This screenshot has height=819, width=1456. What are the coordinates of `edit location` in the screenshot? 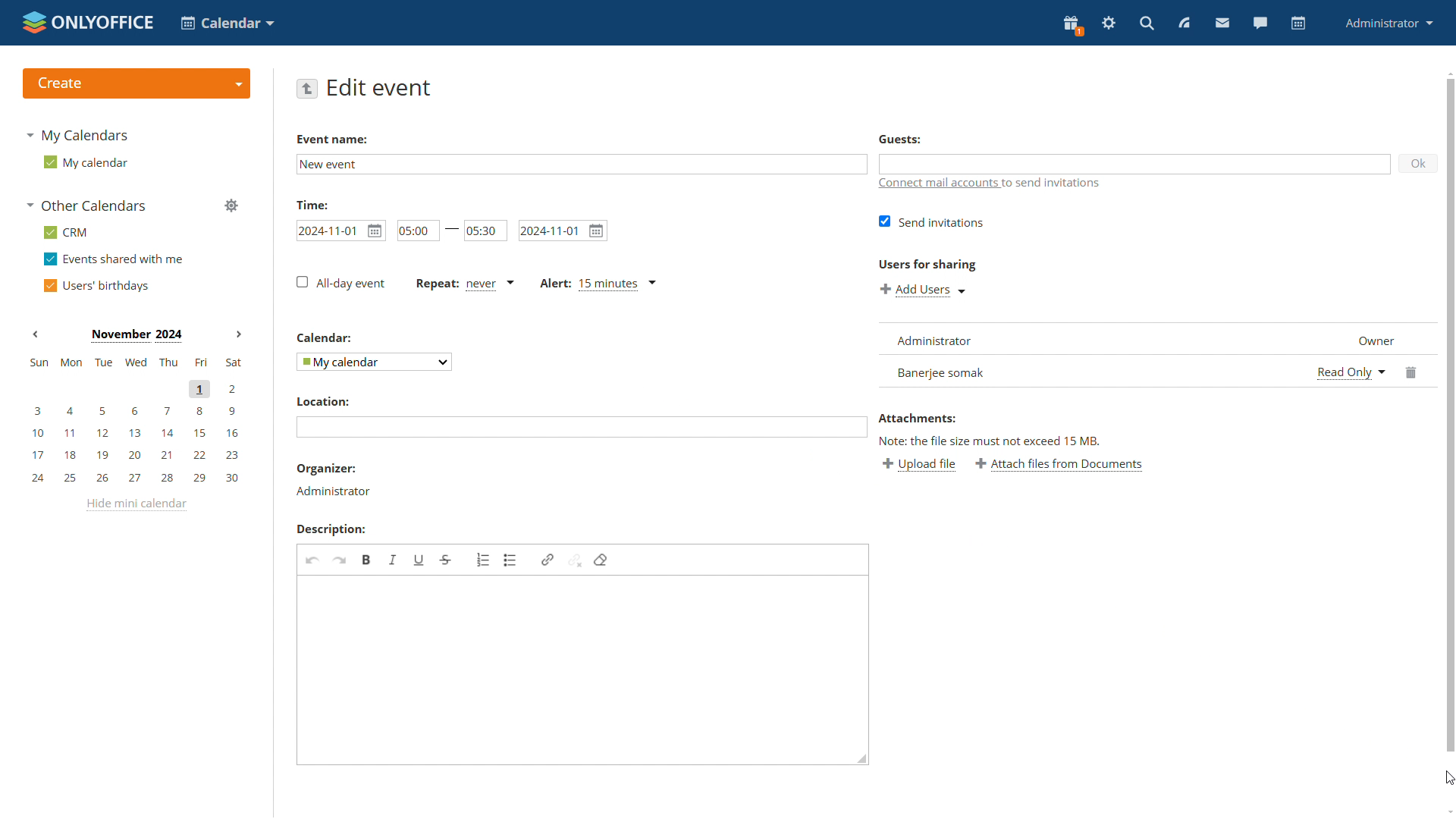 It's located at (581, 427).